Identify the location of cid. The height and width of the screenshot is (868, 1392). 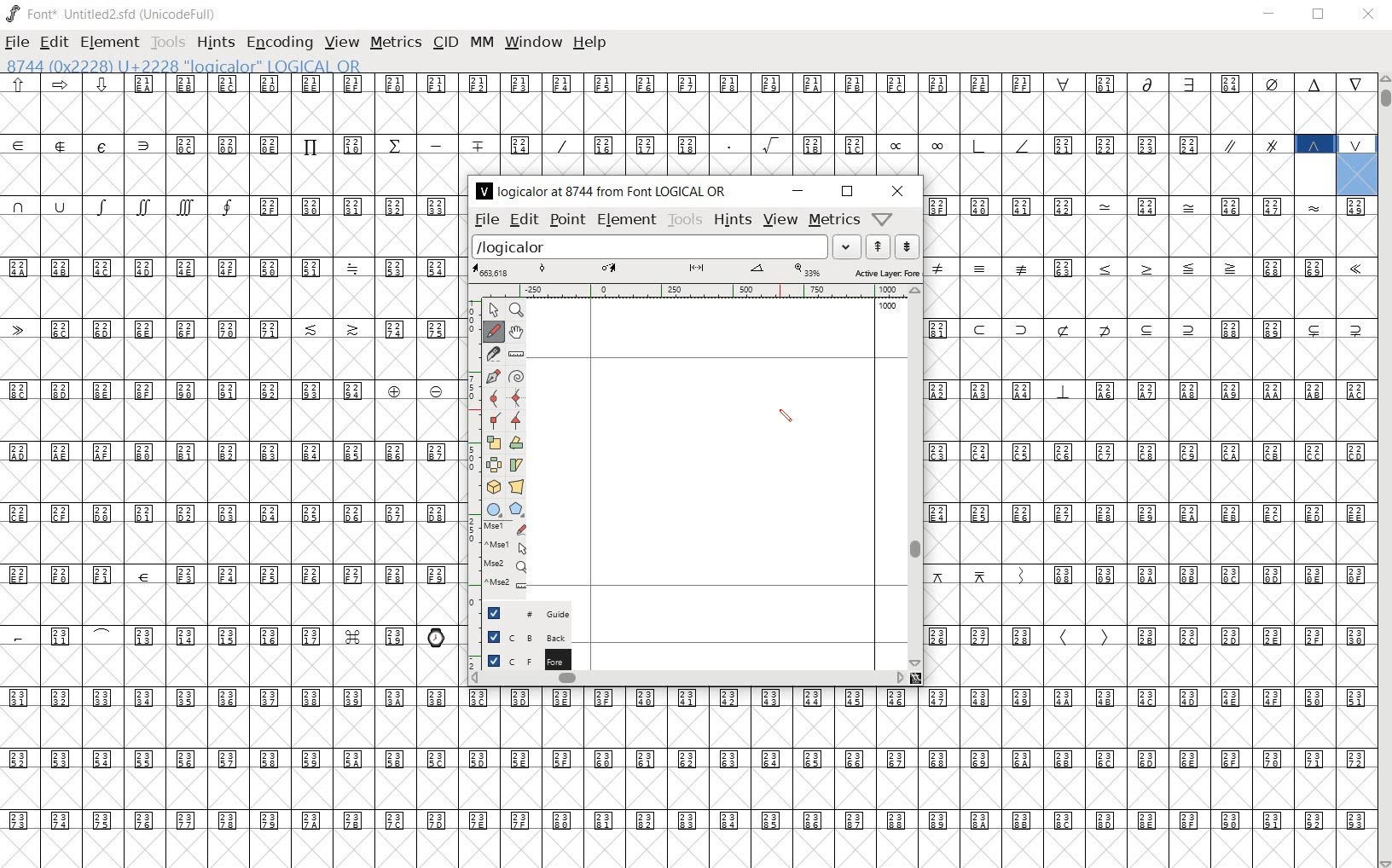
(444, 42).